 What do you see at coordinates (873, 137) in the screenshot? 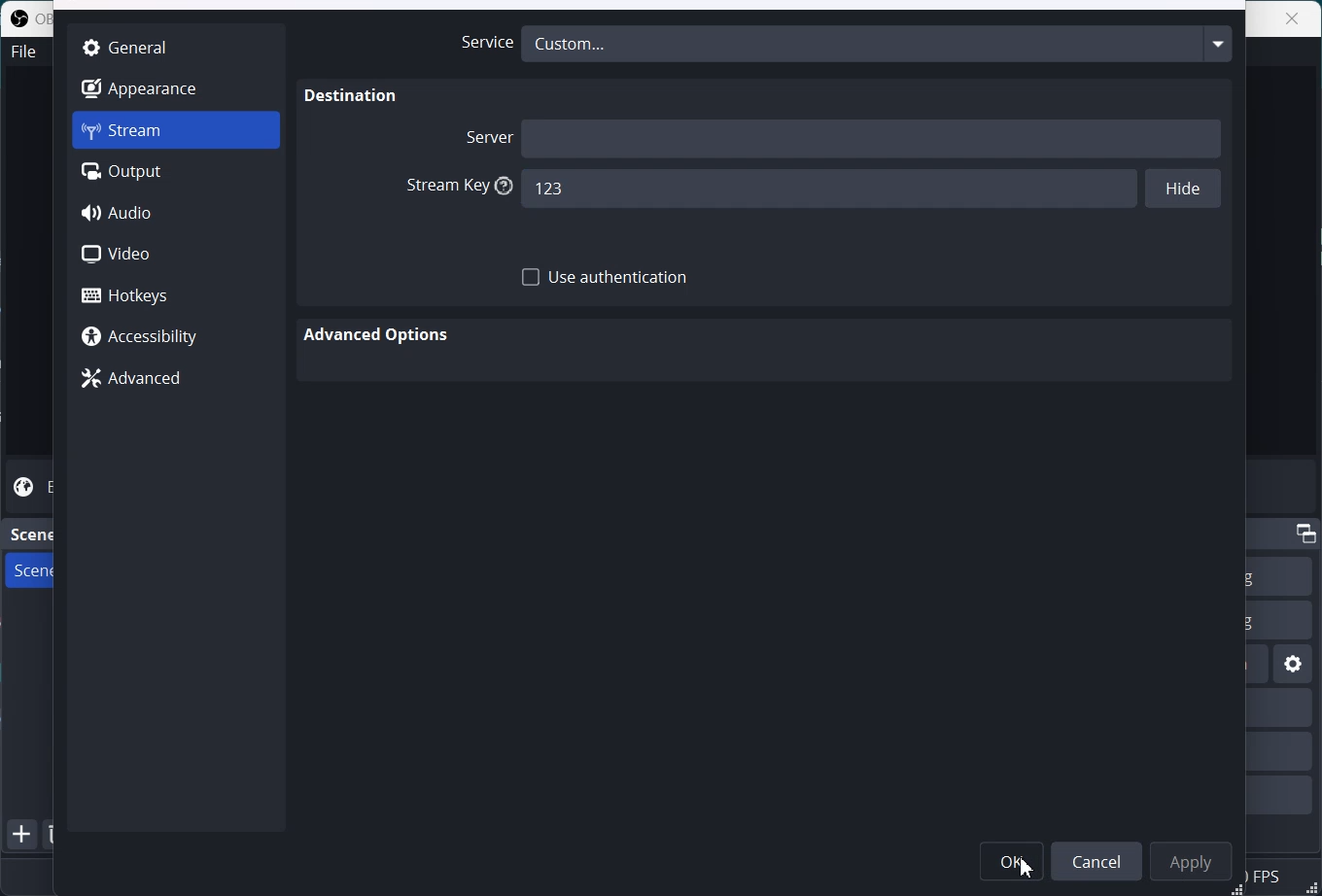
I see `Server name` at bounding box center [873, 137].